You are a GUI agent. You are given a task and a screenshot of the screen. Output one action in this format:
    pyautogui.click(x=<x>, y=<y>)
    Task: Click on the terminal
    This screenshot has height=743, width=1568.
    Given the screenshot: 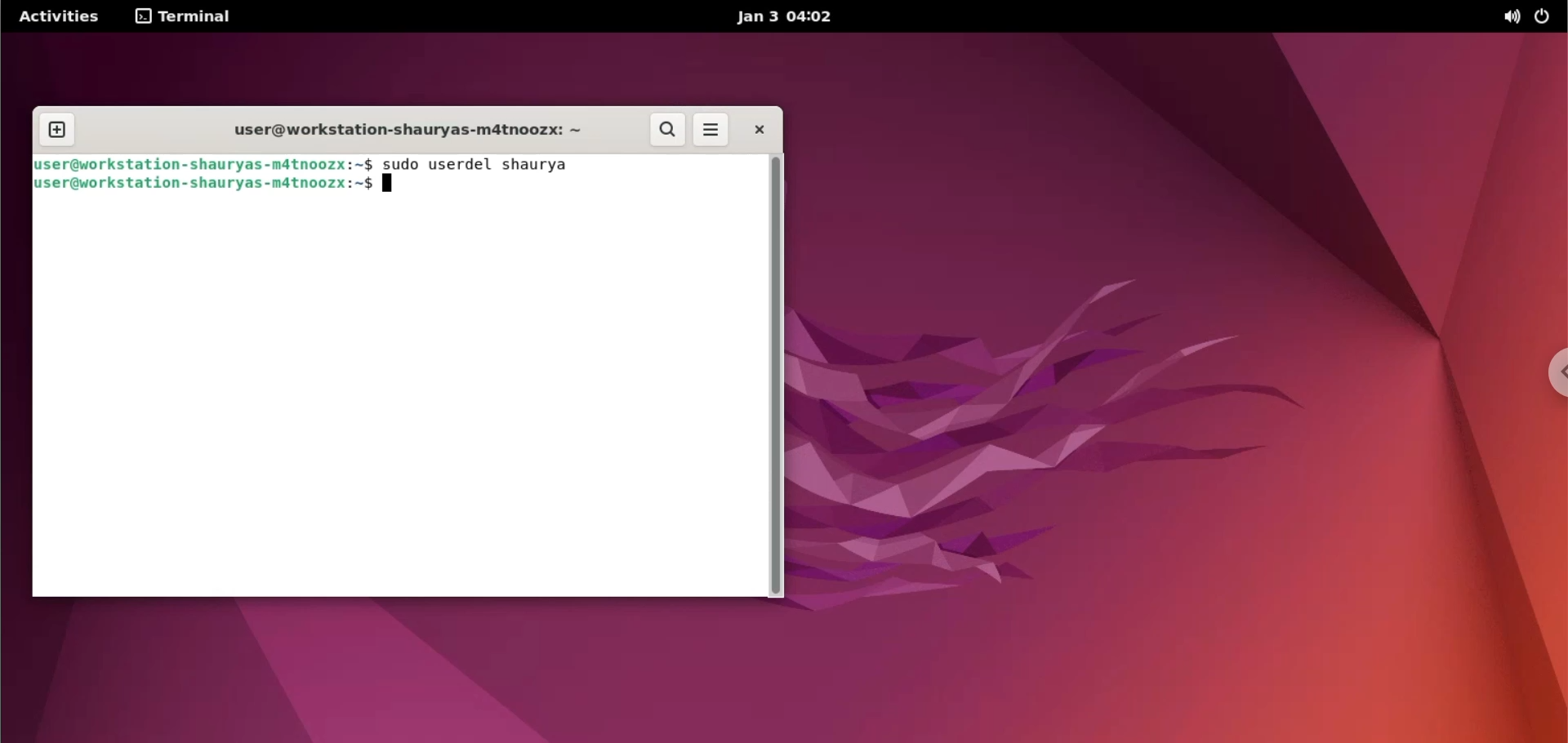 What is the action you would take?
    pyautogui.click(x=188, y=18)
    